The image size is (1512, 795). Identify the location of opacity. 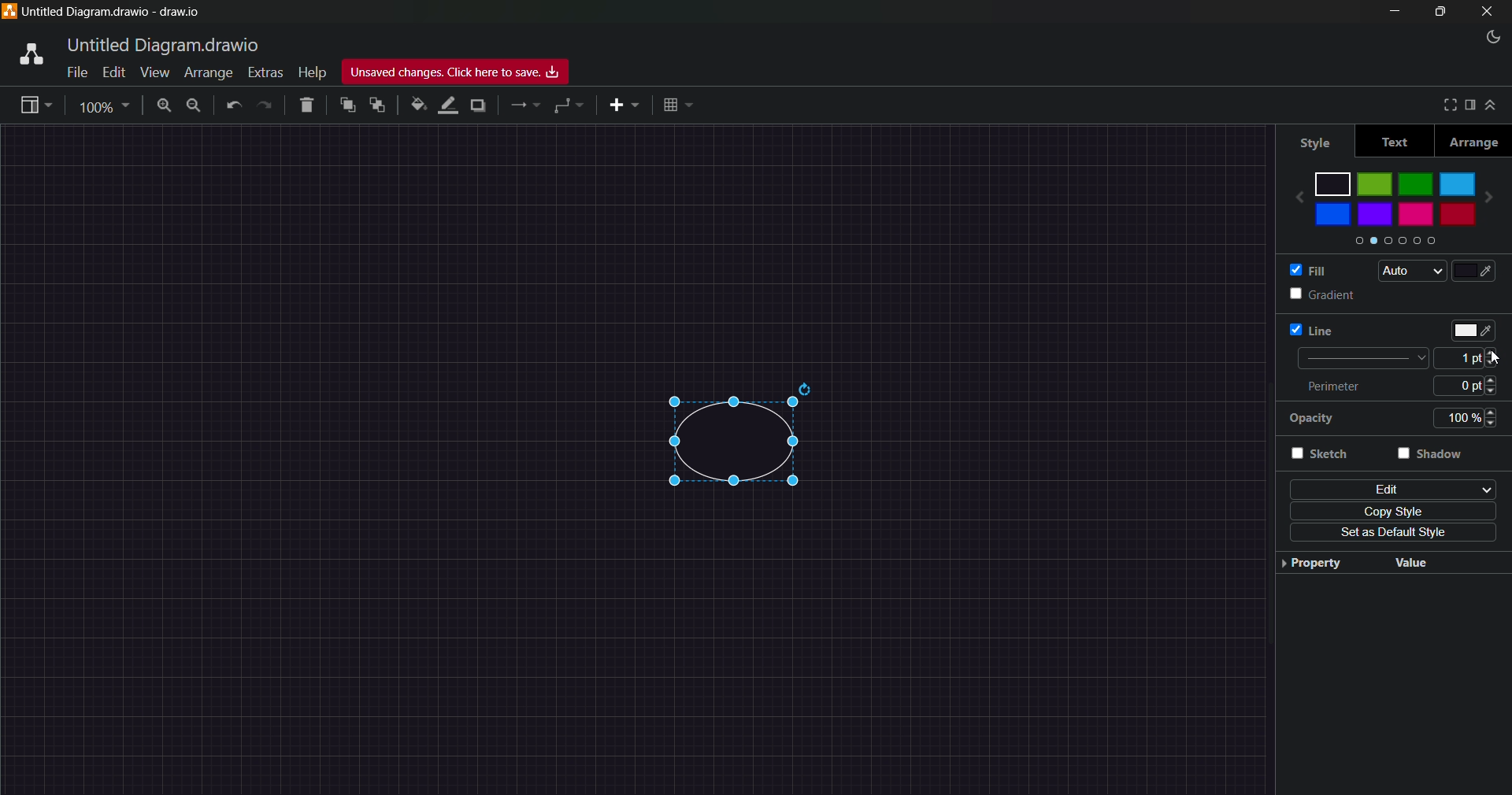
(1330, 419).